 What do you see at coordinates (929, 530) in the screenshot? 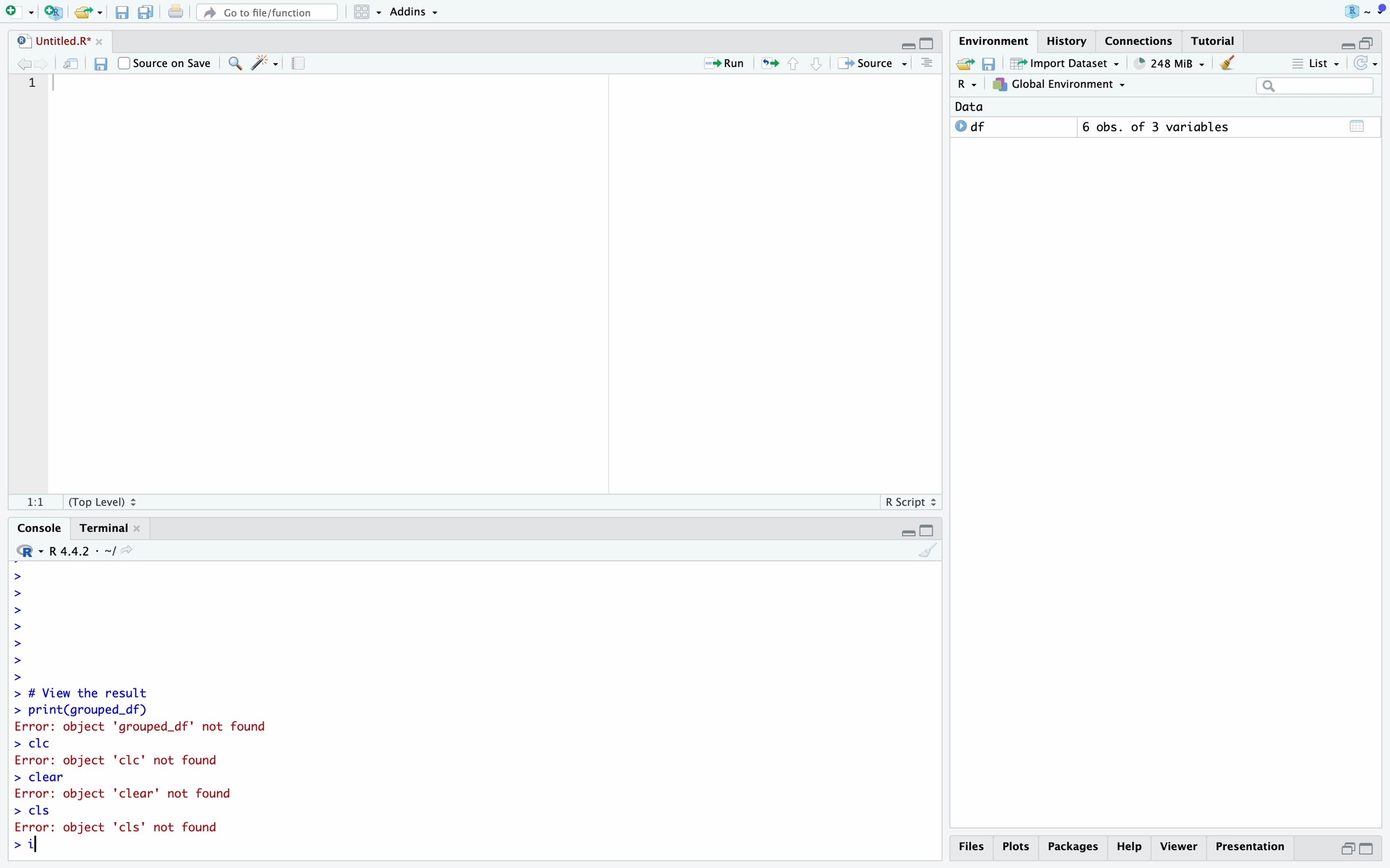
I see `Full Height` at bounding box center [929, 530].